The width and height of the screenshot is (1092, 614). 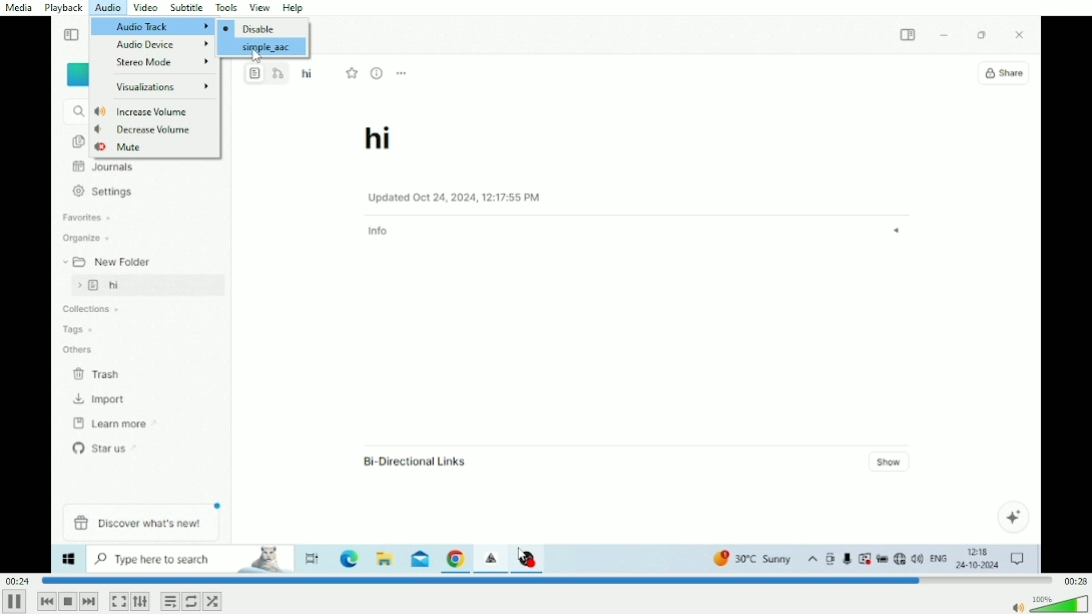 I want to click on Audio Track, so click(x=151, y=26).